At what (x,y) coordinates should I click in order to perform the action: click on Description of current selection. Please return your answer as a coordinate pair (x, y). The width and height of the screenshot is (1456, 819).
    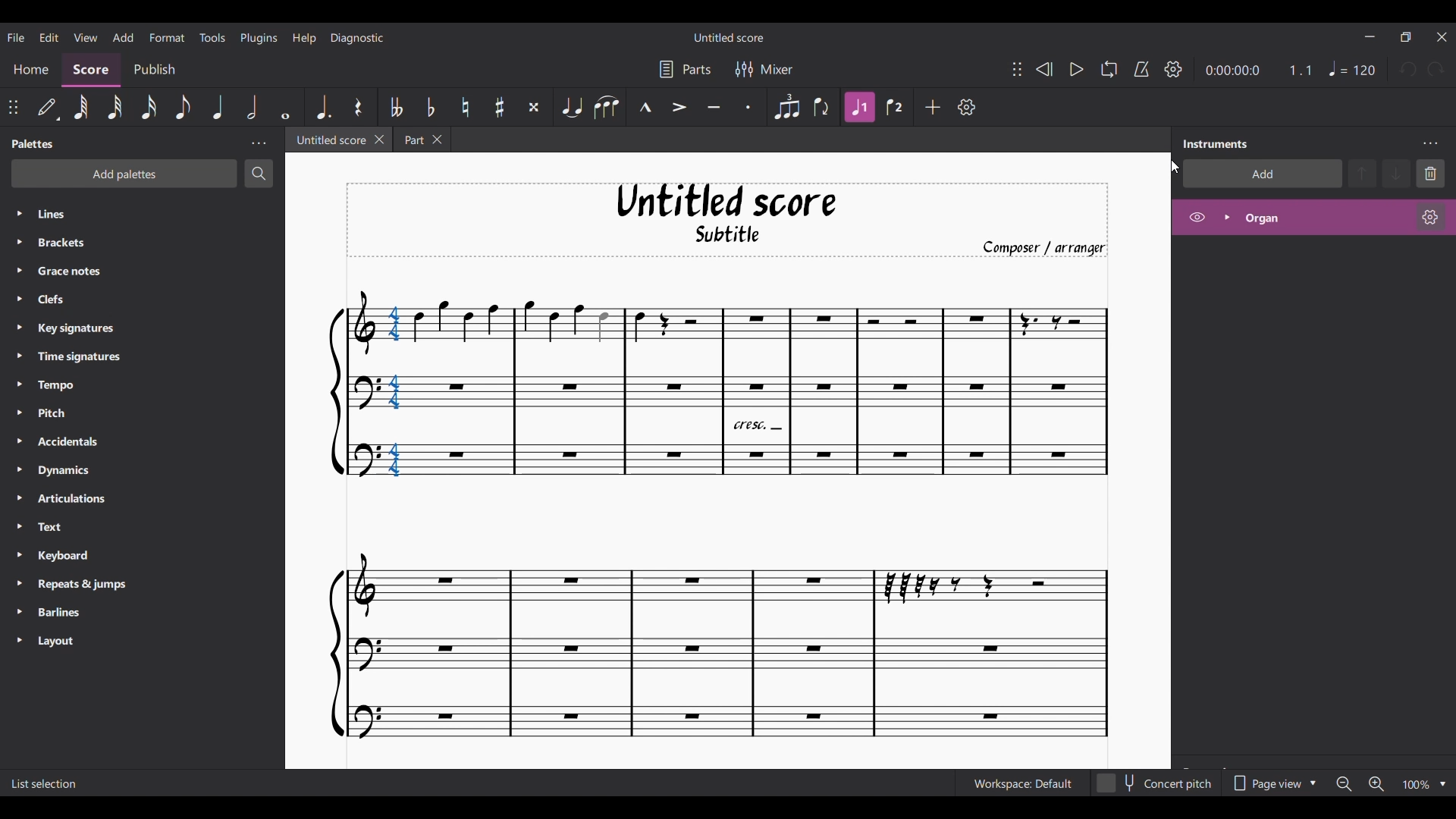
    Looking at the image, I should click on (49, 783).